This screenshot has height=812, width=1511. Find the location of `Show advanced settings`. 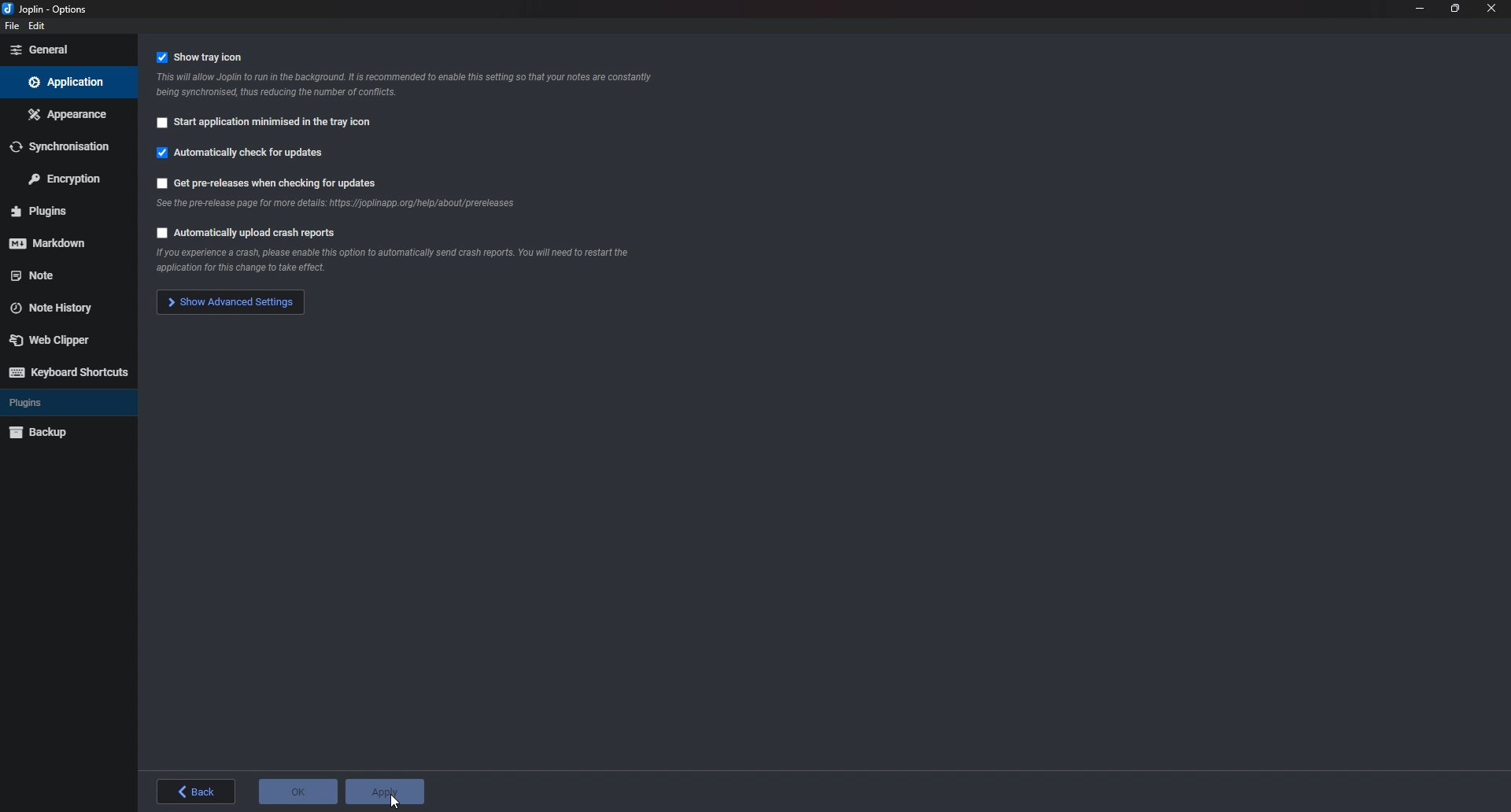

Show advanced settings is located at coordinates (228, 303).